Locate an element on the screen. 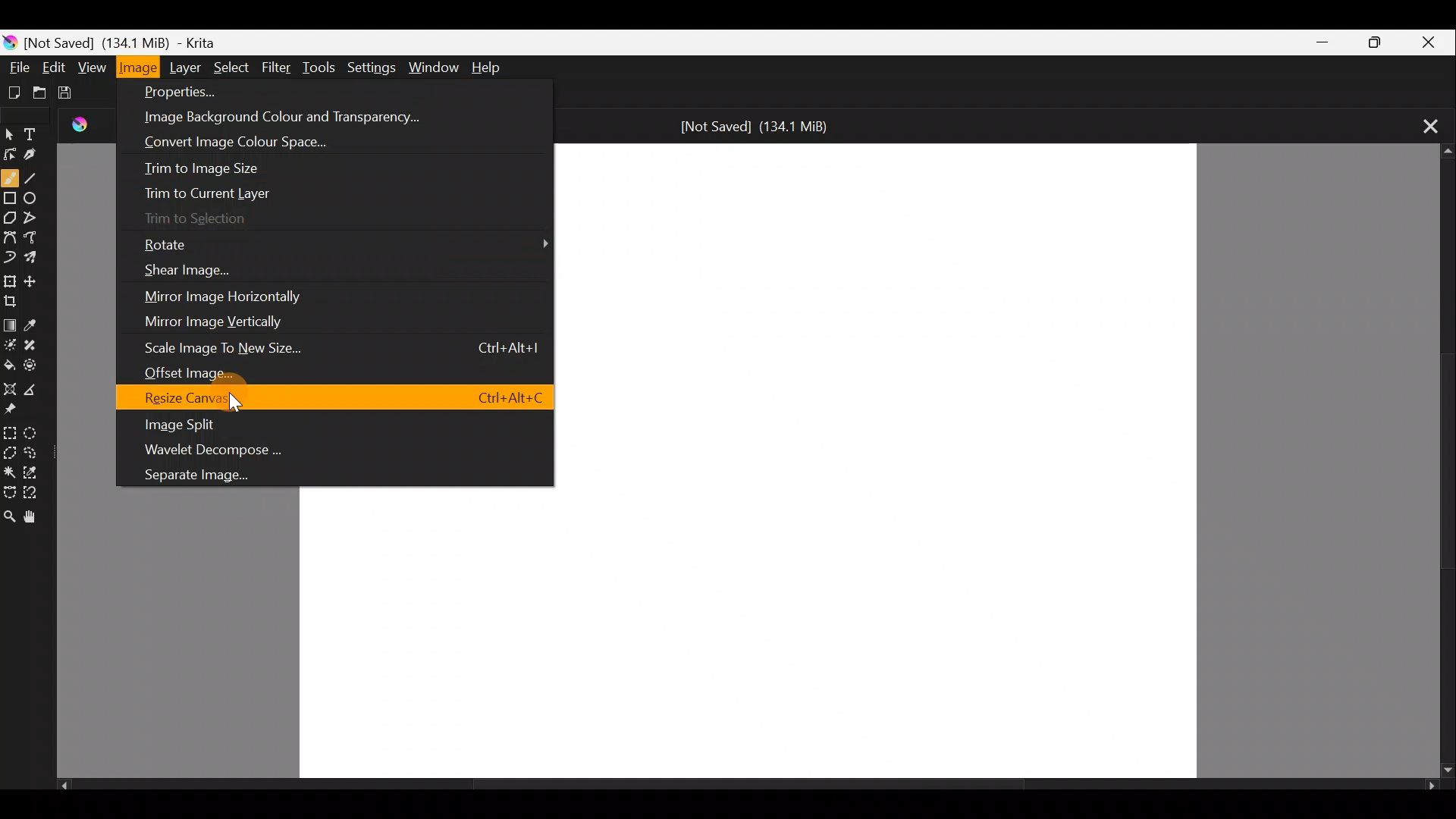 Image resolution: width=1456 pixels, height=819 pixels. Select is located at coordinates (231, 65).